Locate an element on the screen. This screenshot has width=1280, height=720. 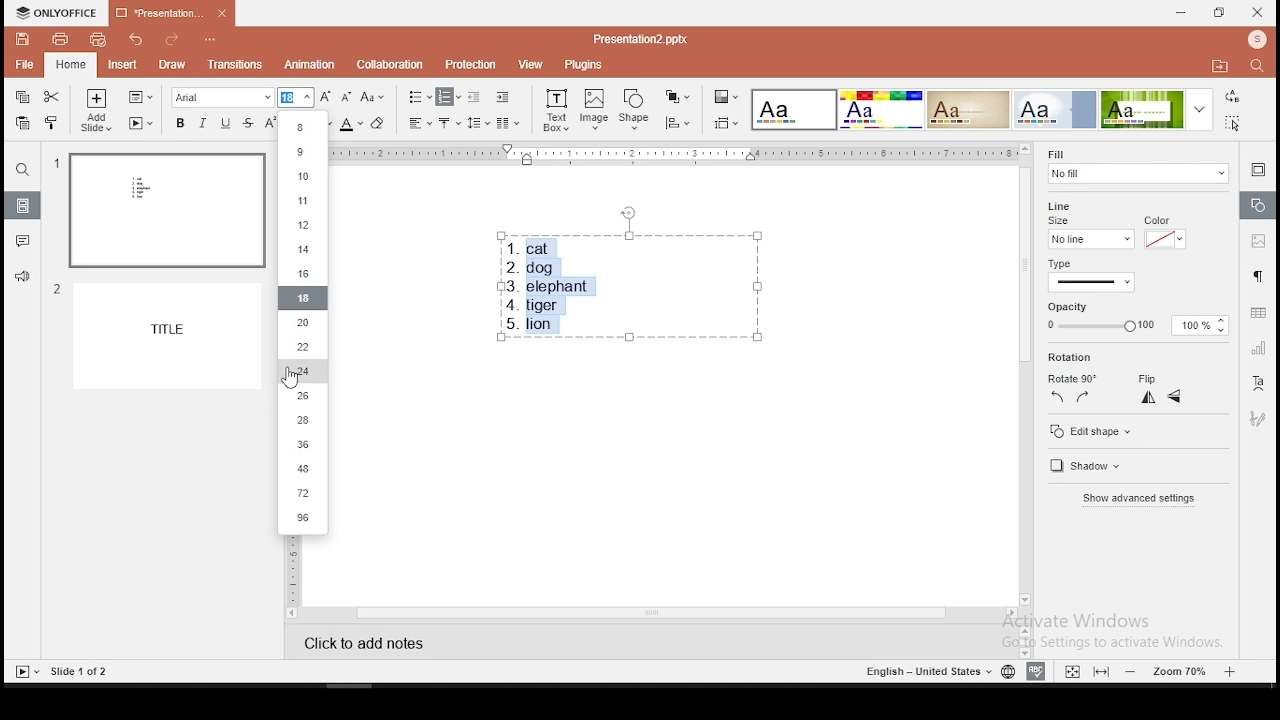
type is located at coordinates (1120, 272).